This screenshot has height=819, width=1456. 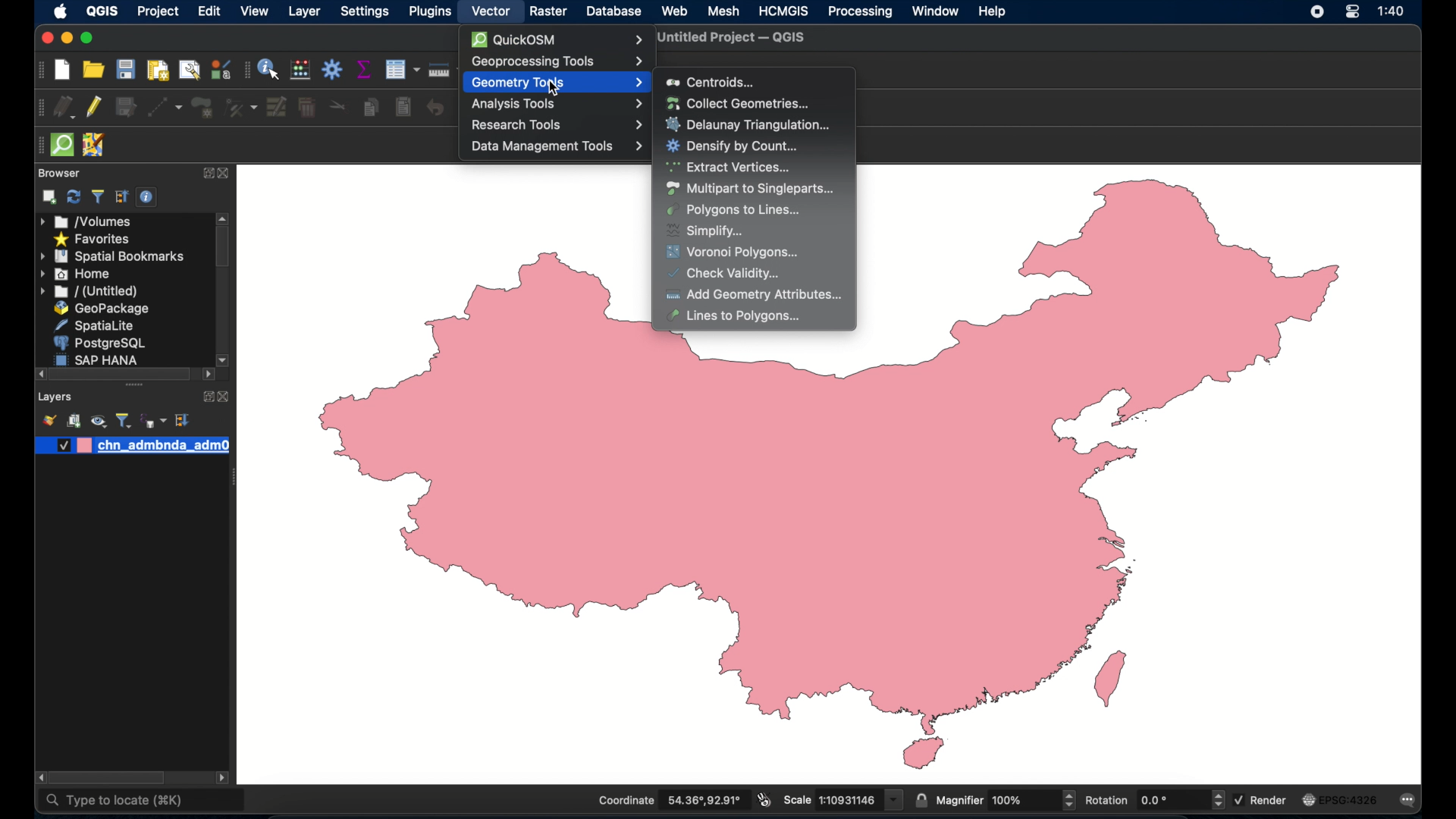 I want to click on scroll left arrow, so click(x=36, y=374).